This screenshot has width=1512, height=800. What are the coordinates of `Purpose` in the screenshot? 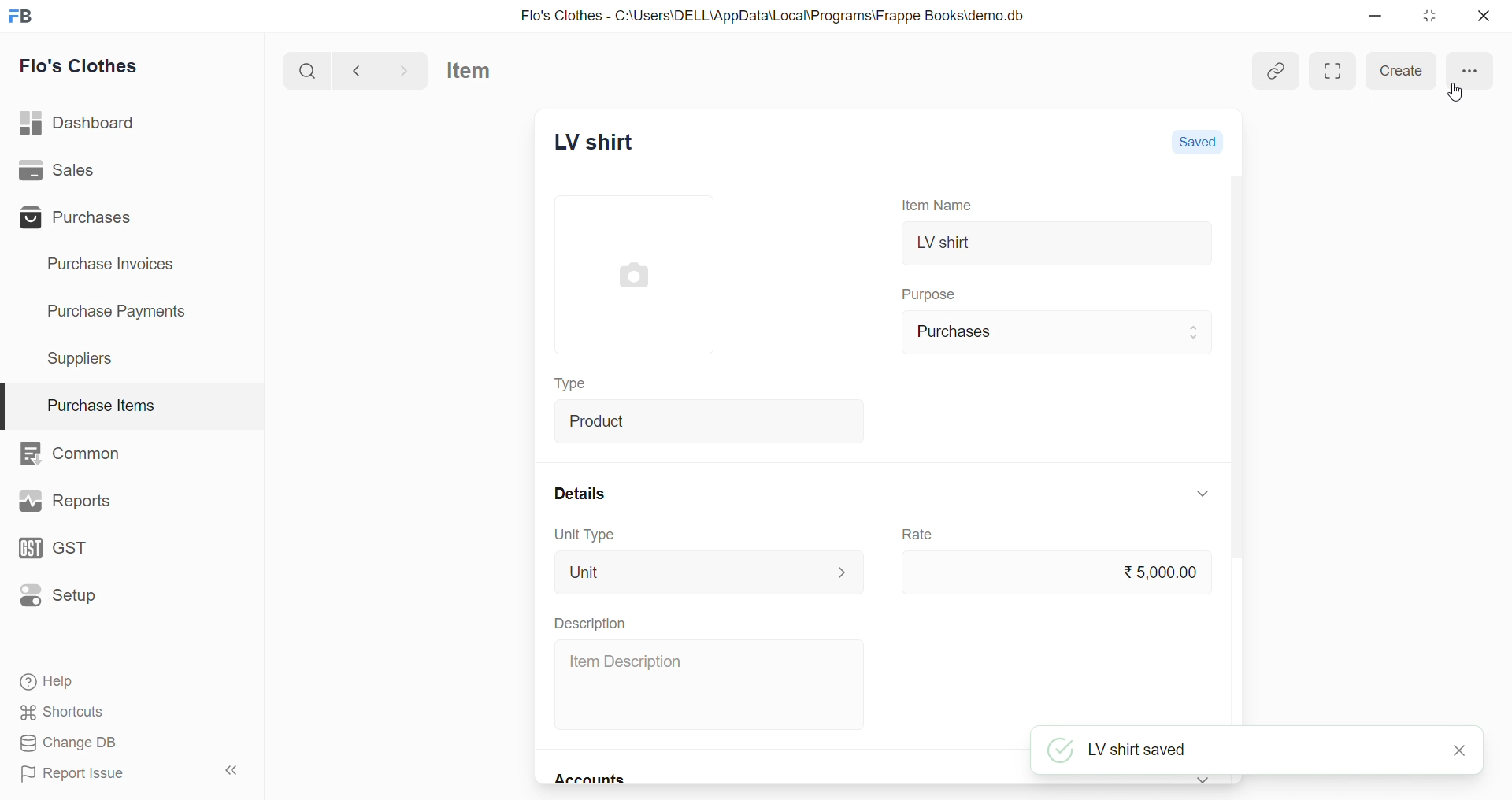 It's located at (932, 292).